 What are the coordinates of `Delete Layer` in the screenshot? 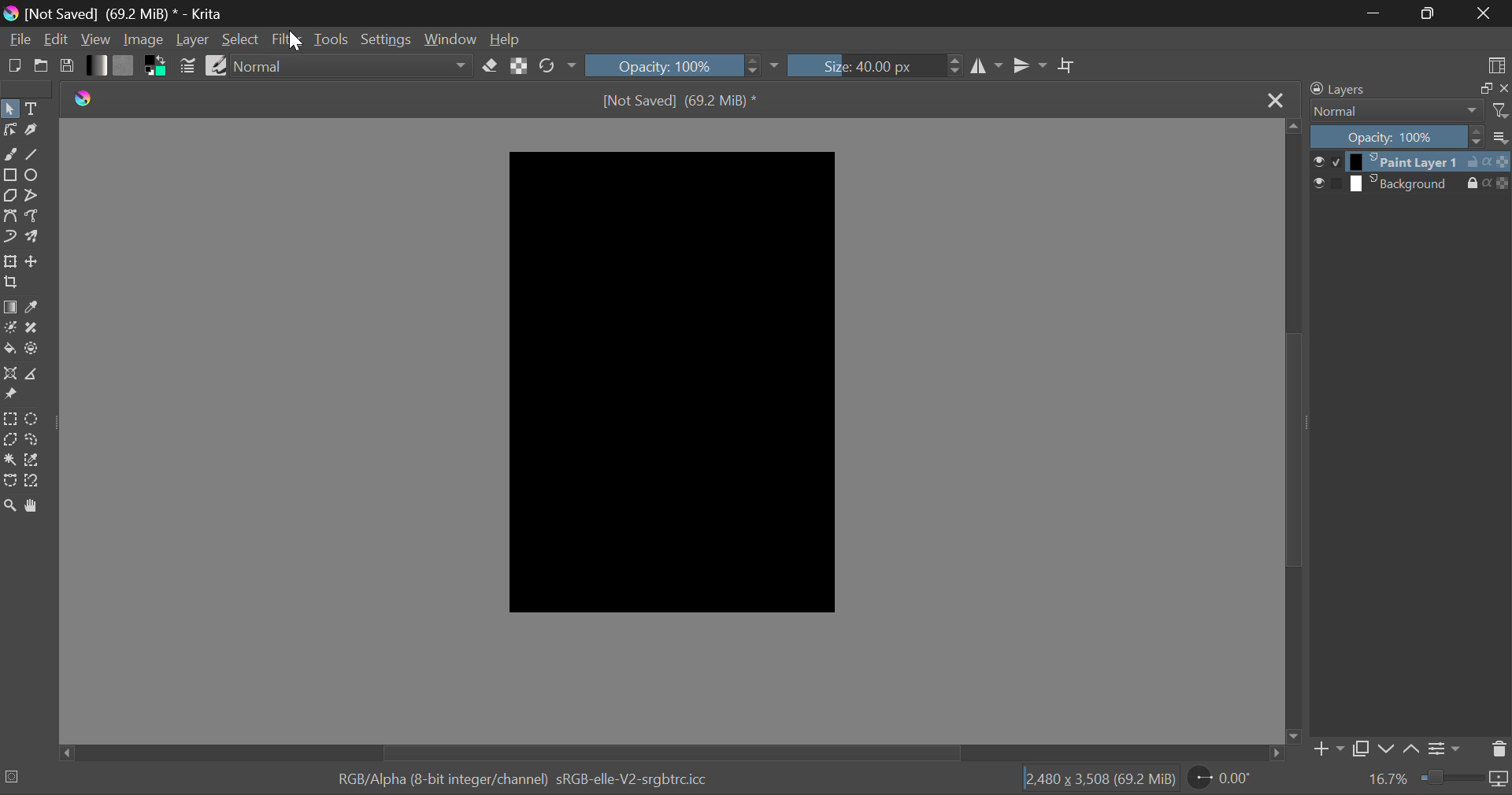 It's located at (1499, 751).